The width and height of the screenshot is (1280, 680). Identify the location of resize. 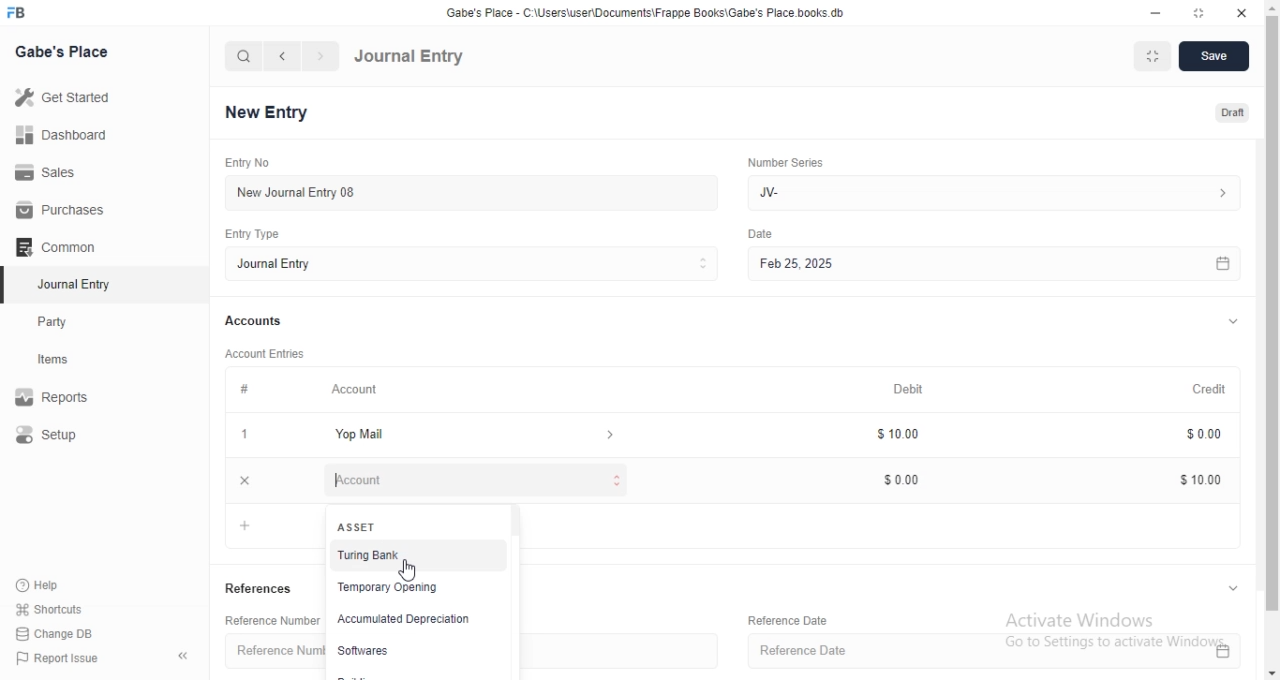
(1204, 12).